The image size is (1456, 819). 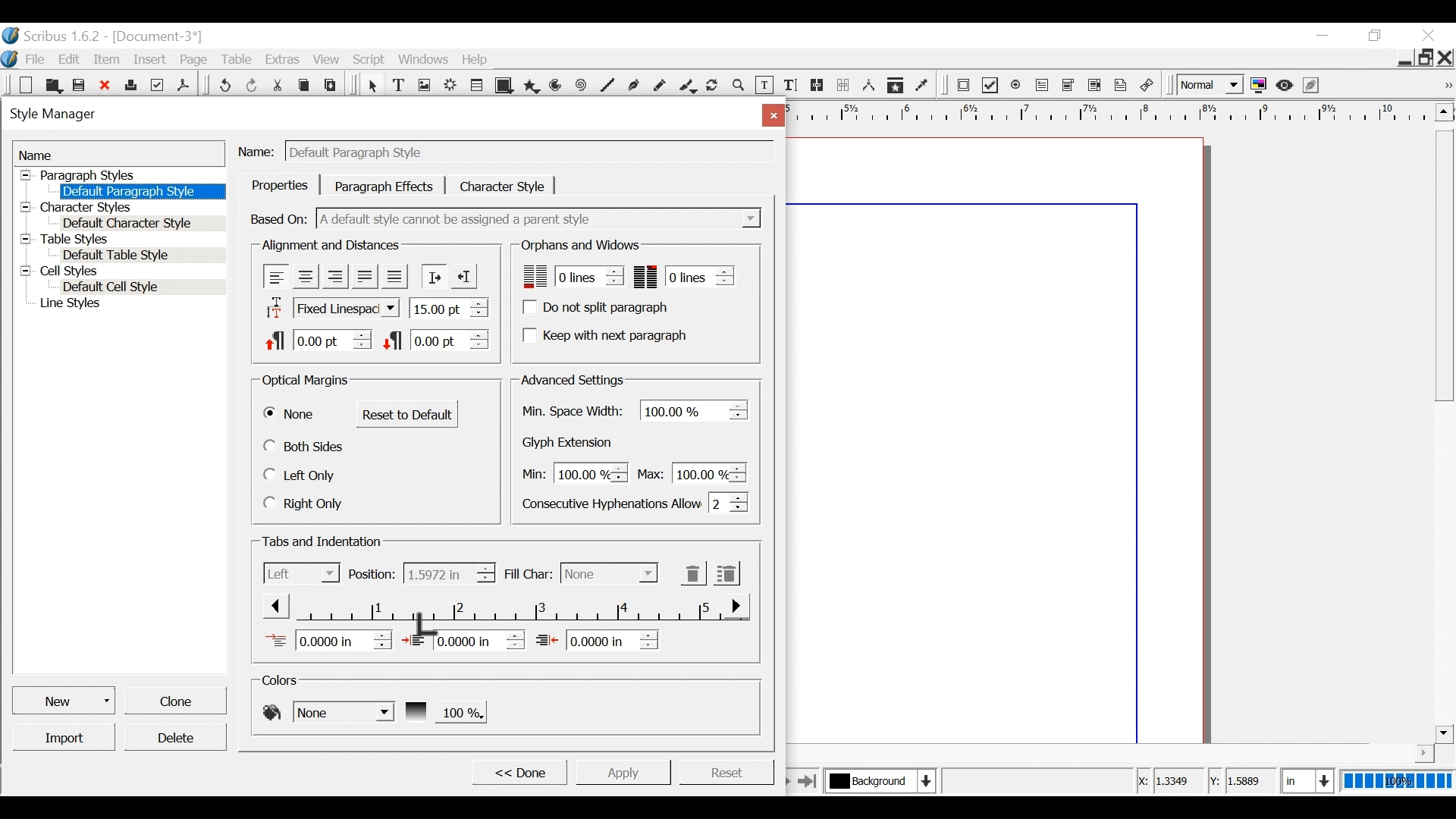 What do you see at coordinates (808, 780) in the screenshot?
I see `Go to the last page` at bounding box center [808, 780].